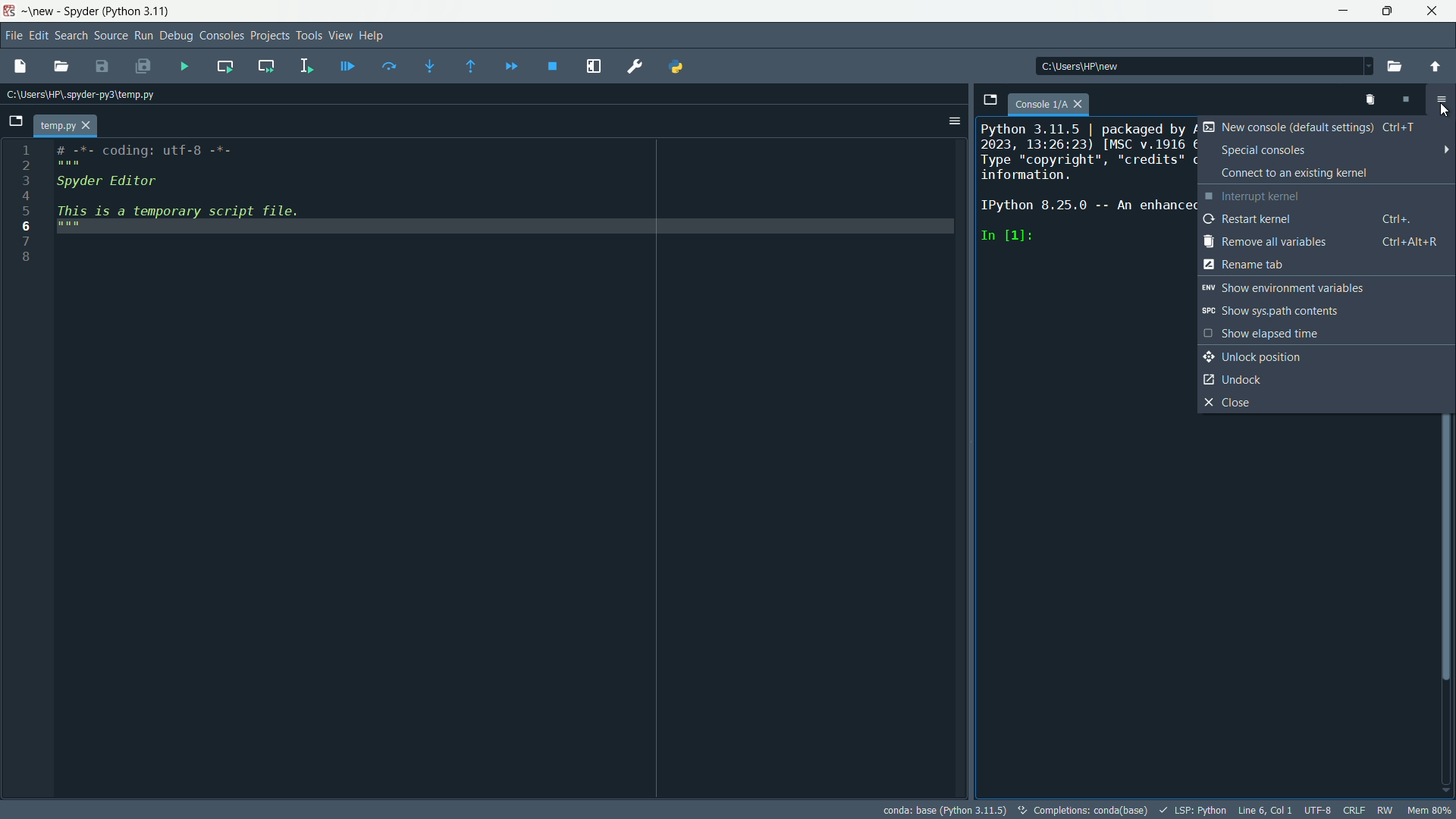 Image resolution: width=1456 pixels, height=819 pixels. What do you see at coordinates (1447, 111) in the screenshot?
I see `cursor` at bounding box center [1447, 111].